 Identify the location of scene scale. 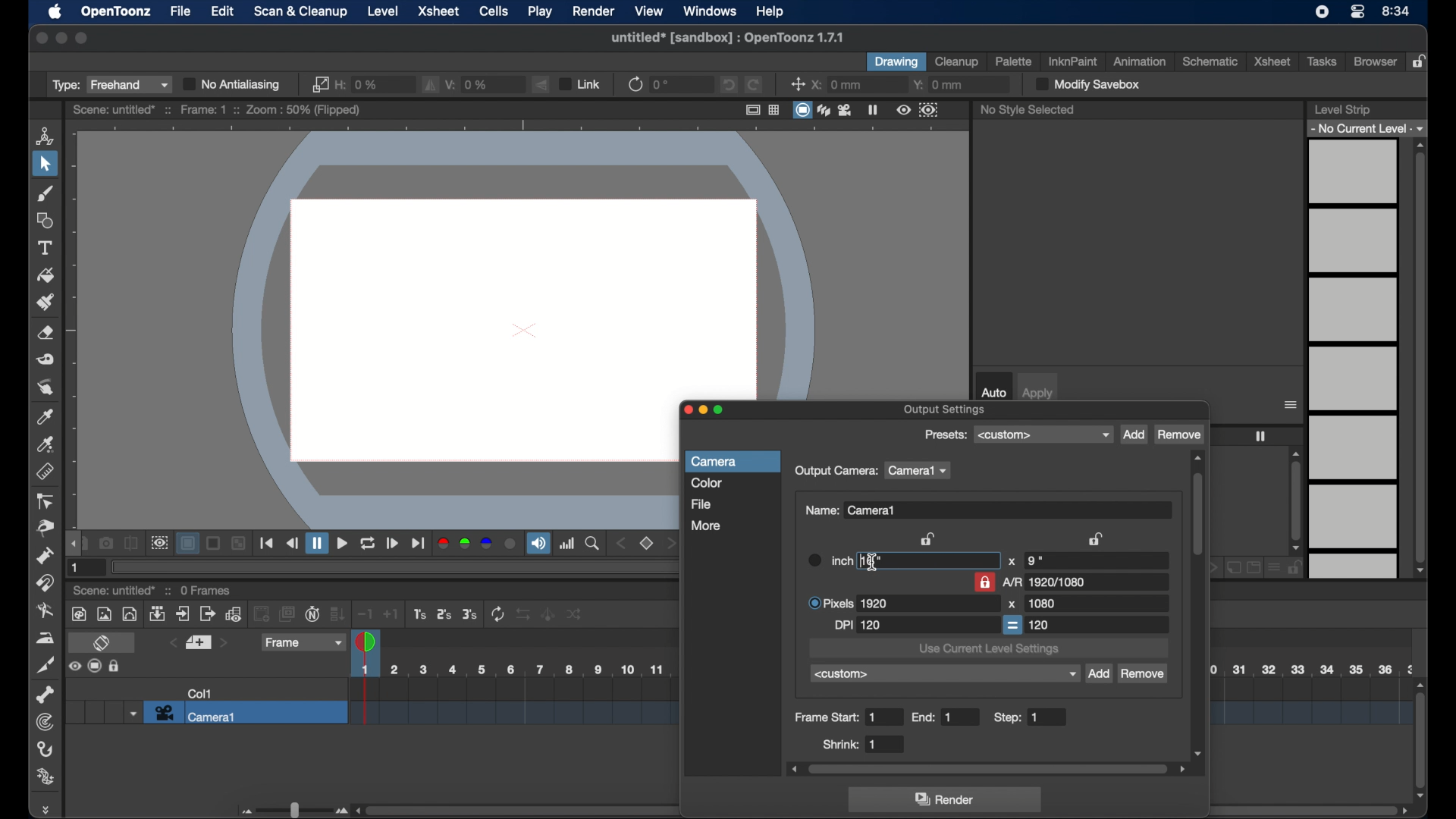
(510, 670).